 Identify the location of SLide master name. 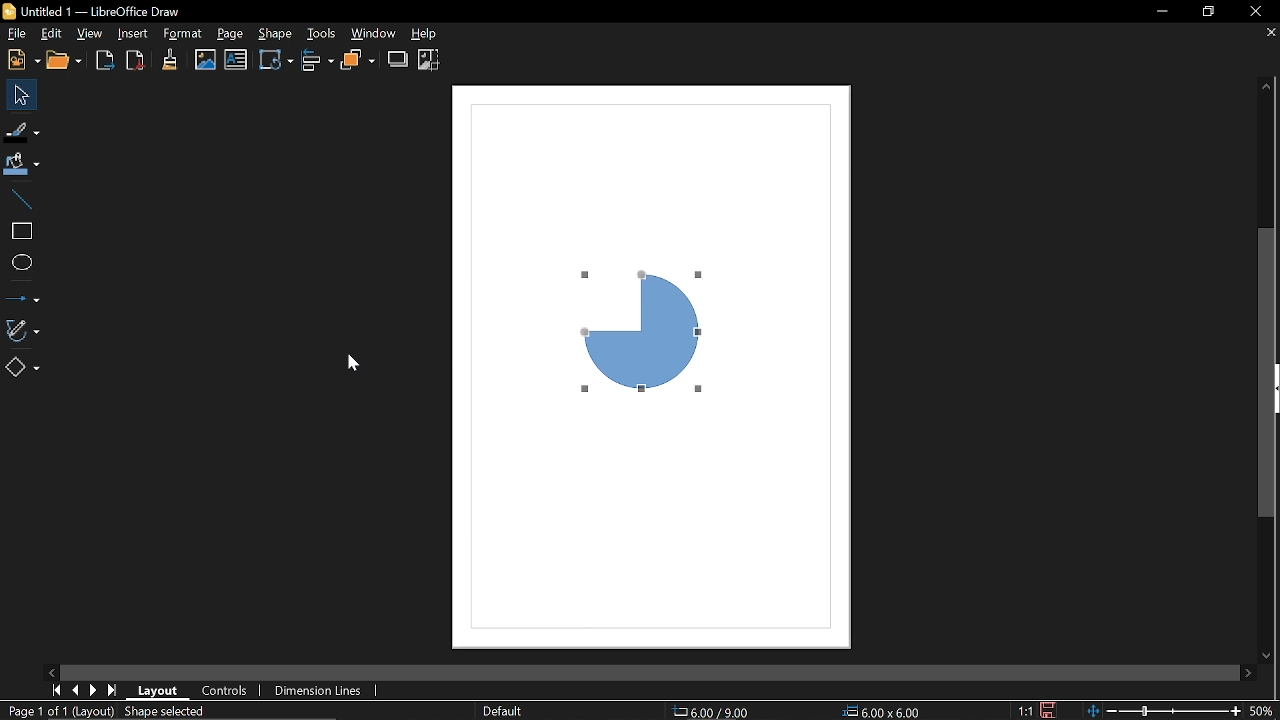
(514, 710).